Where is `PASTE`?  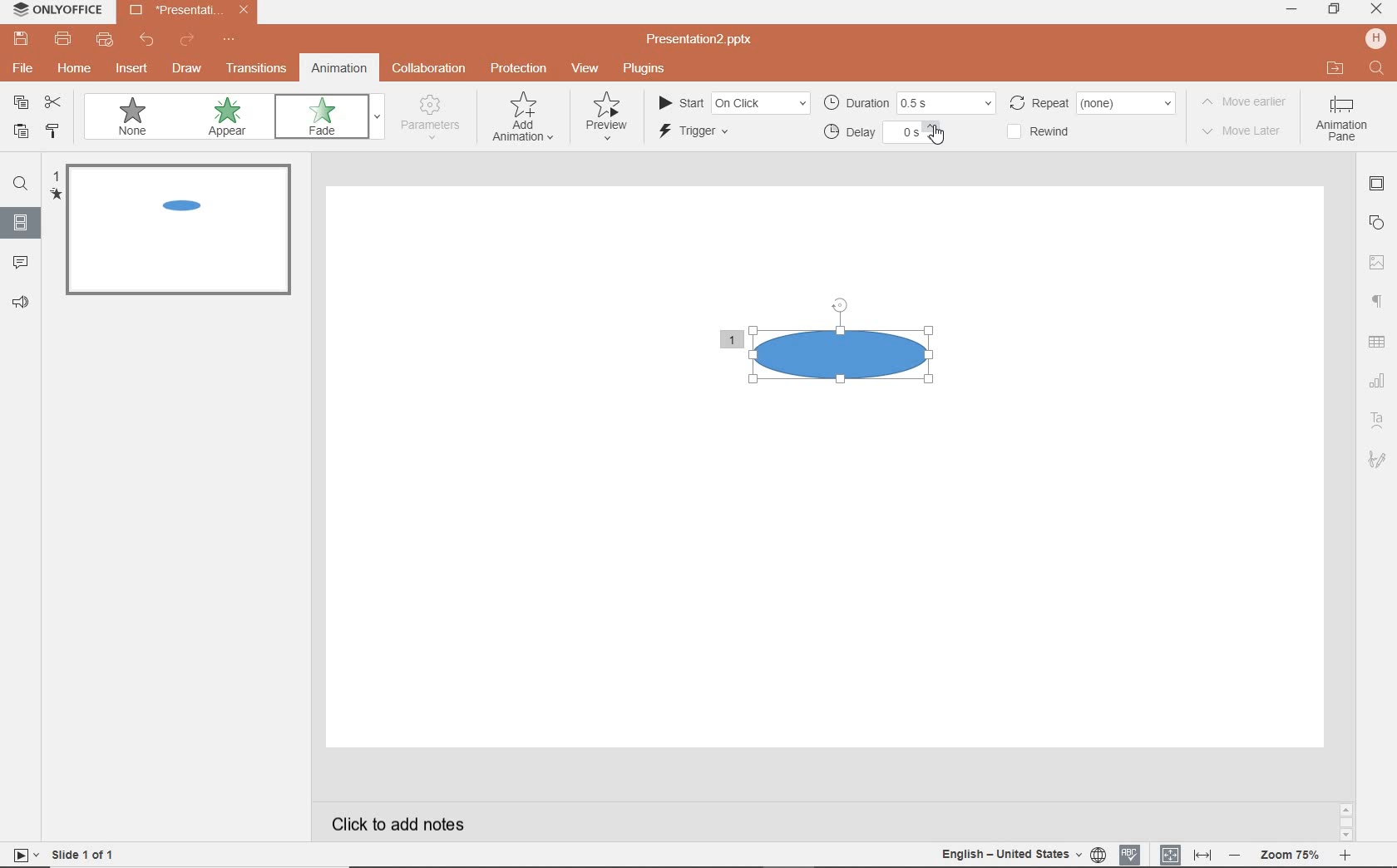 PASTE is located at coordinates (20, 132).